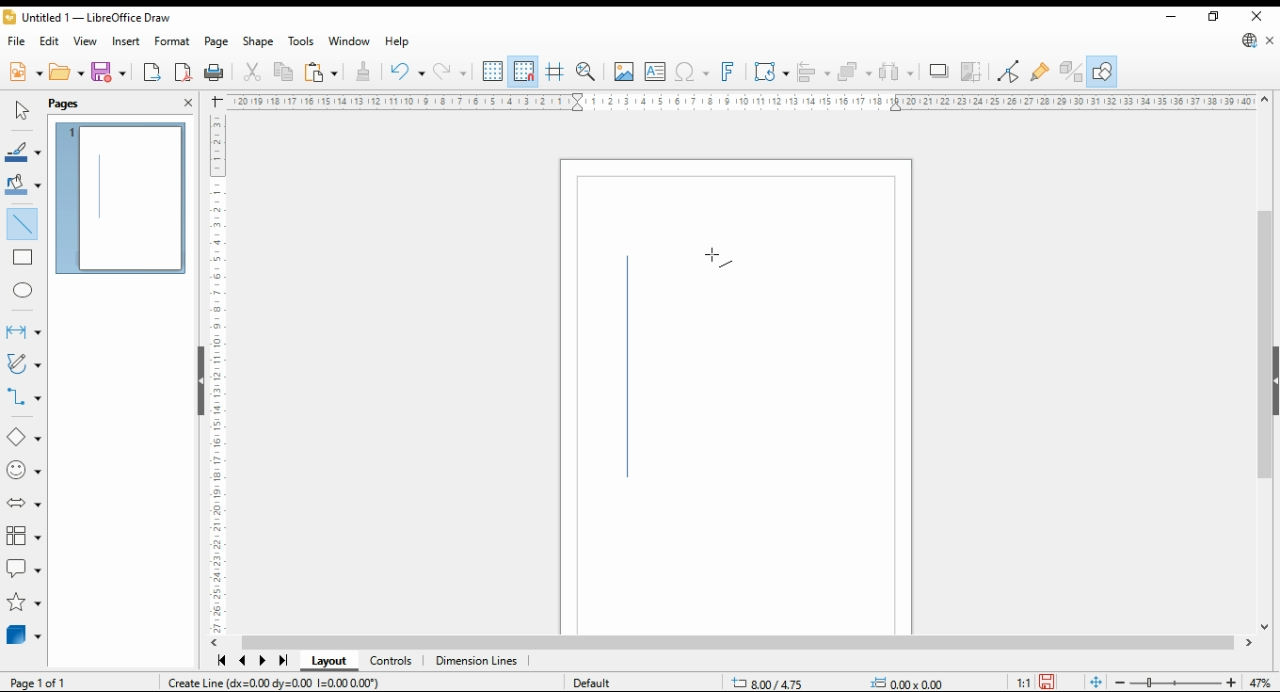  I want to click on block arrows, so click(24, 503).